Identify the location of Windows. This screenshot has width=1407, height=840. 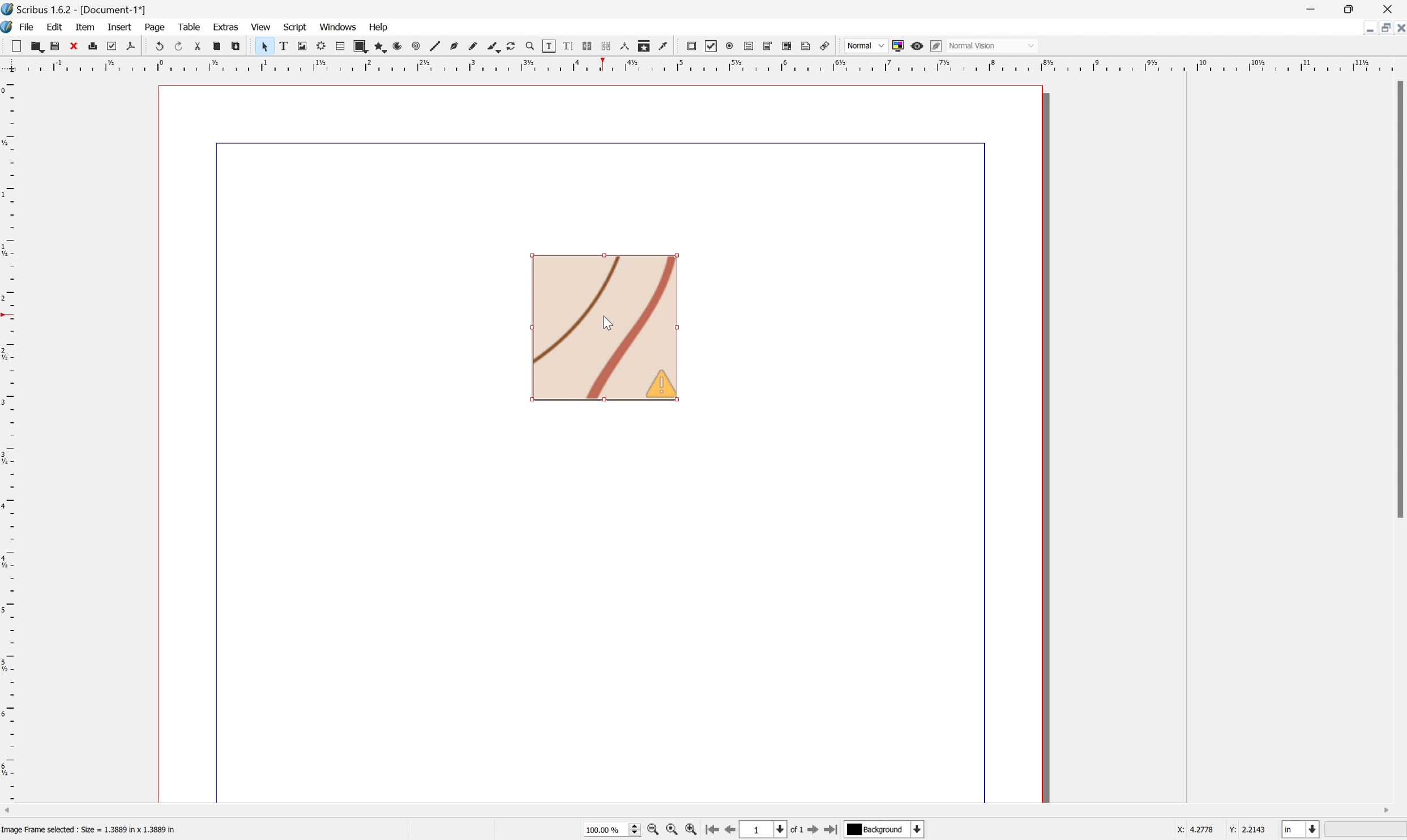
(337, 25).